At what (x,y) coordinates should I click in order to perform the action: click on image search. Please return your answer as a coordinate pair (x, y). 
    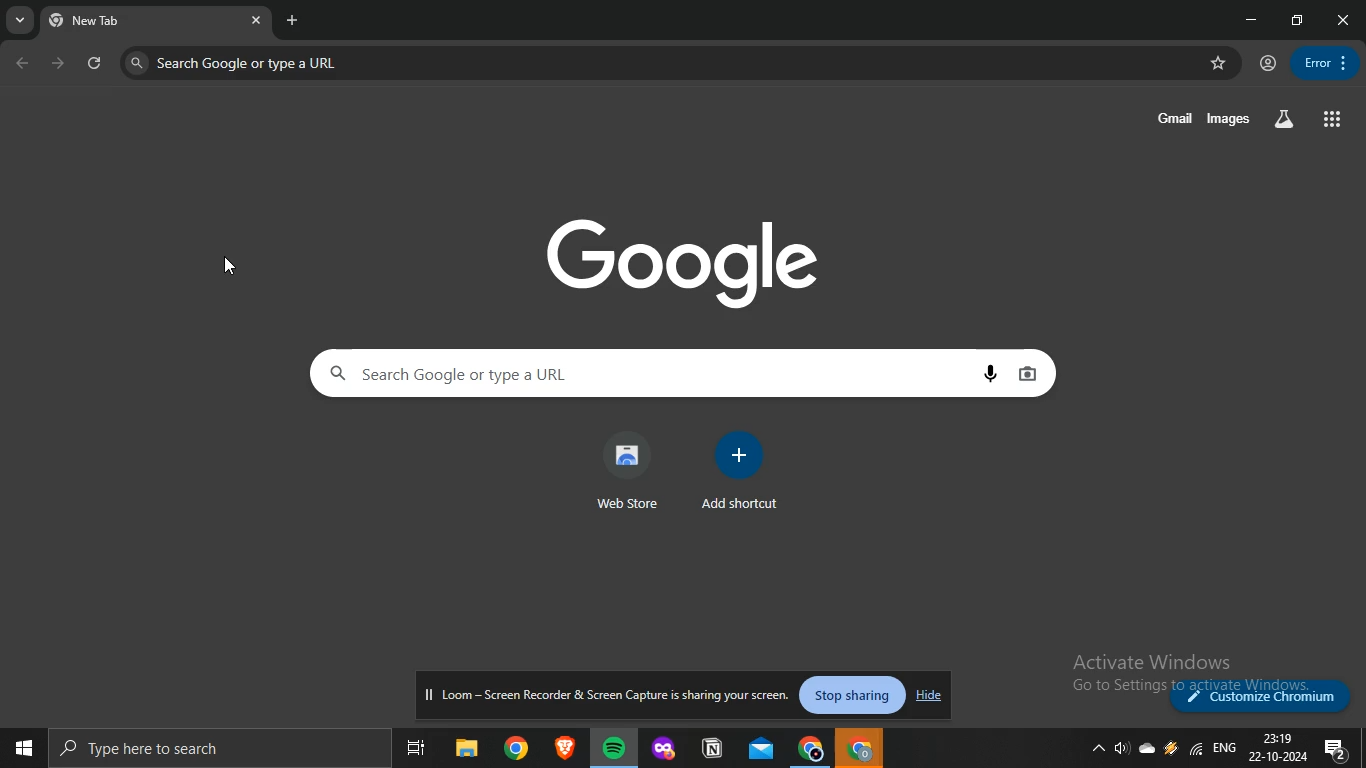
    Looking at the image, I should click on (1032, 373).